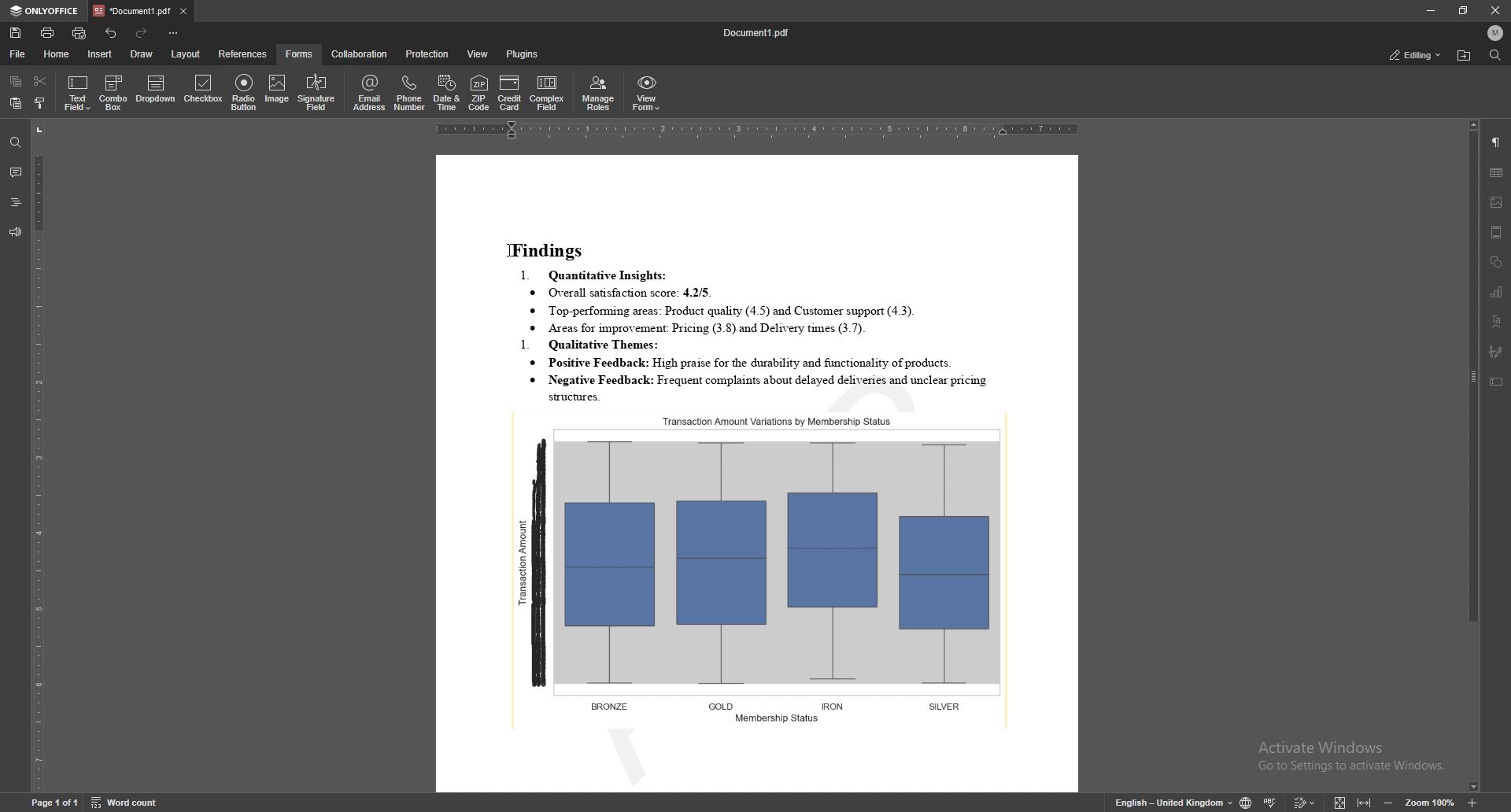 Image resolution: width=1511 pixels, height=812 pixels. Describe the element at coordinates (157, 91) in the screenshot. I see `dropdown` at that location.